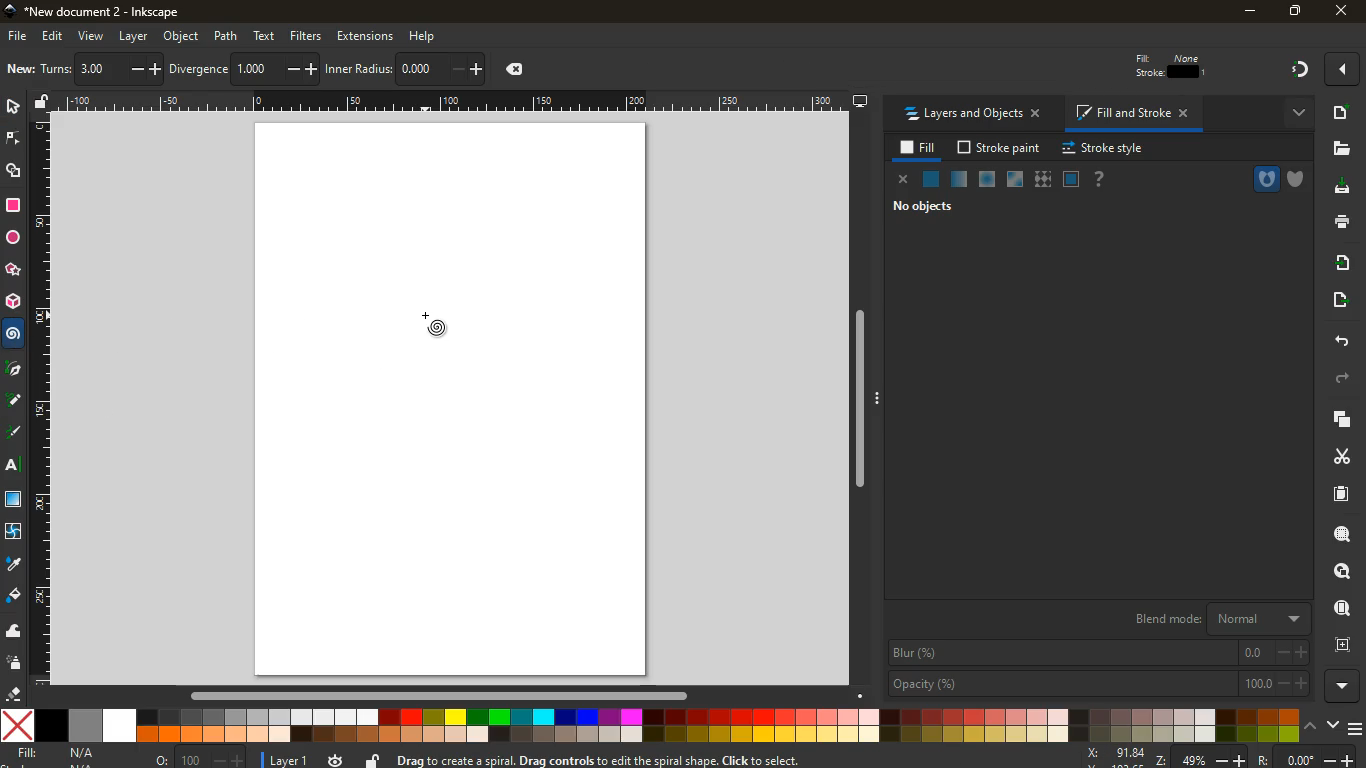 The image size is (1366, 768). Describe the element at coordinates (102, 67) in the screenshot. I see `photo` at that location.